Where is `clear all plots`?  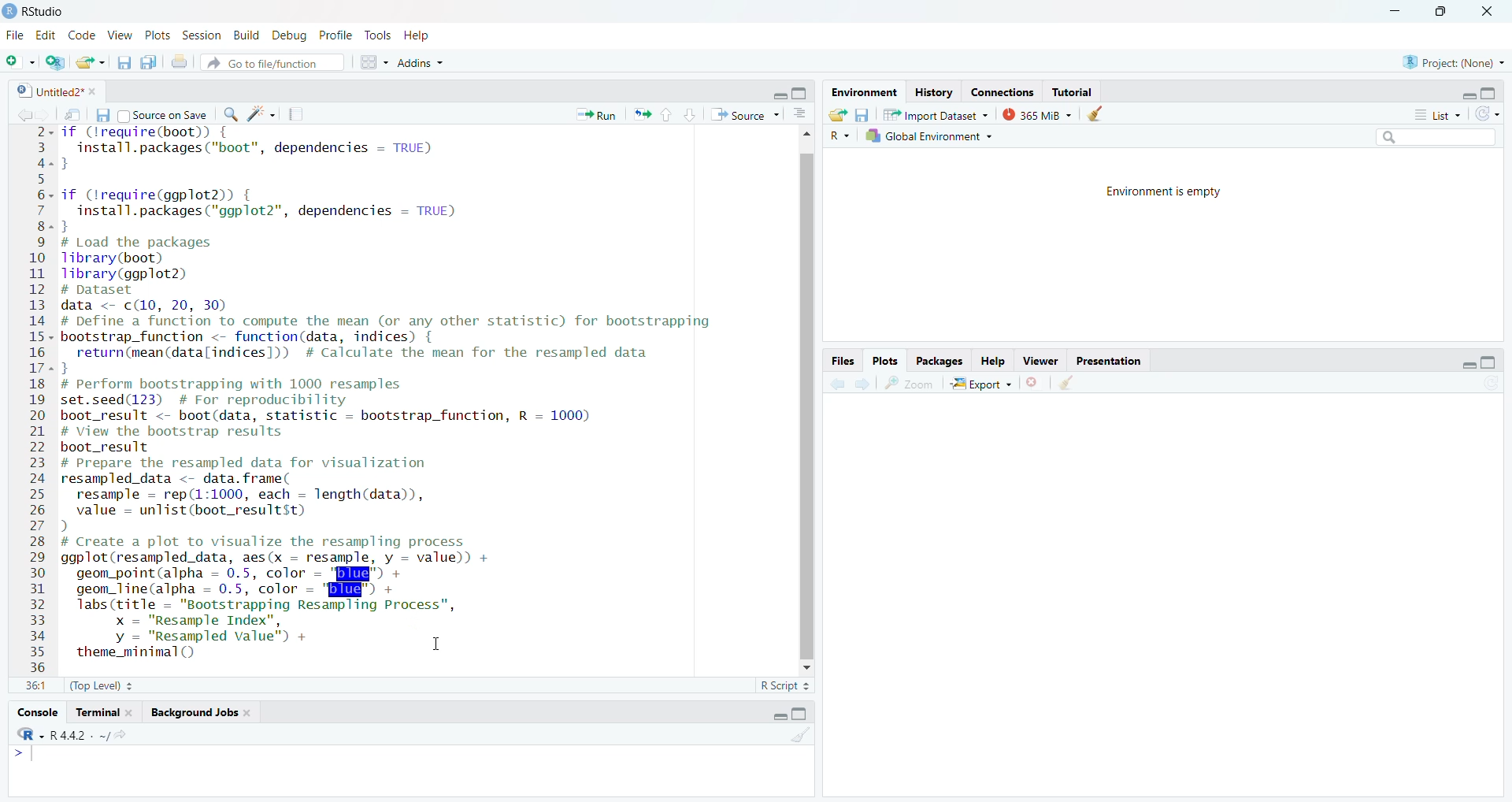 clear all plots is located at coordinates (1065, 383).